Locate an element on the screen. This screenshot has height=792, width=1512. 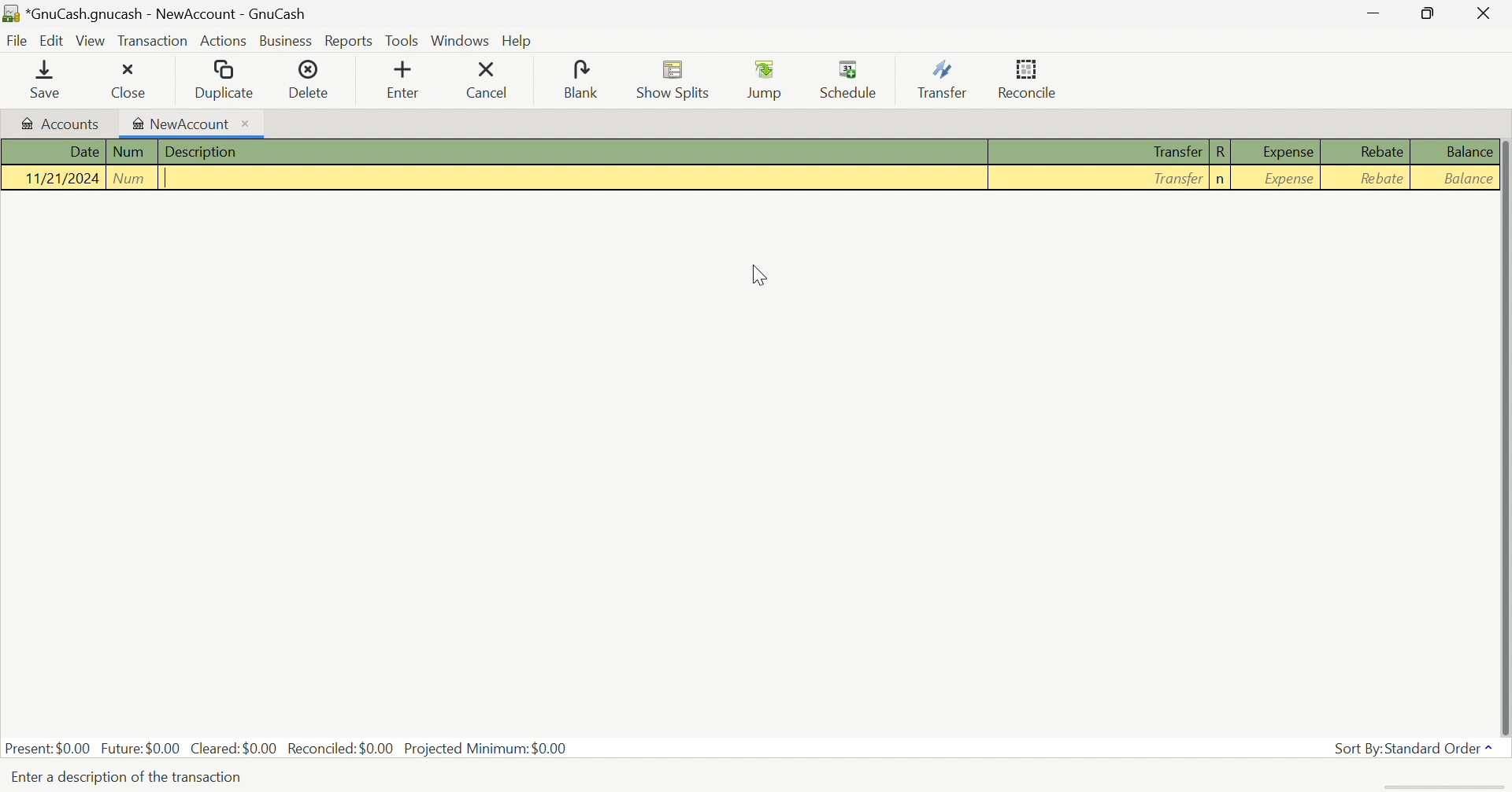
Transfer is located at coordinates (1176, 153).